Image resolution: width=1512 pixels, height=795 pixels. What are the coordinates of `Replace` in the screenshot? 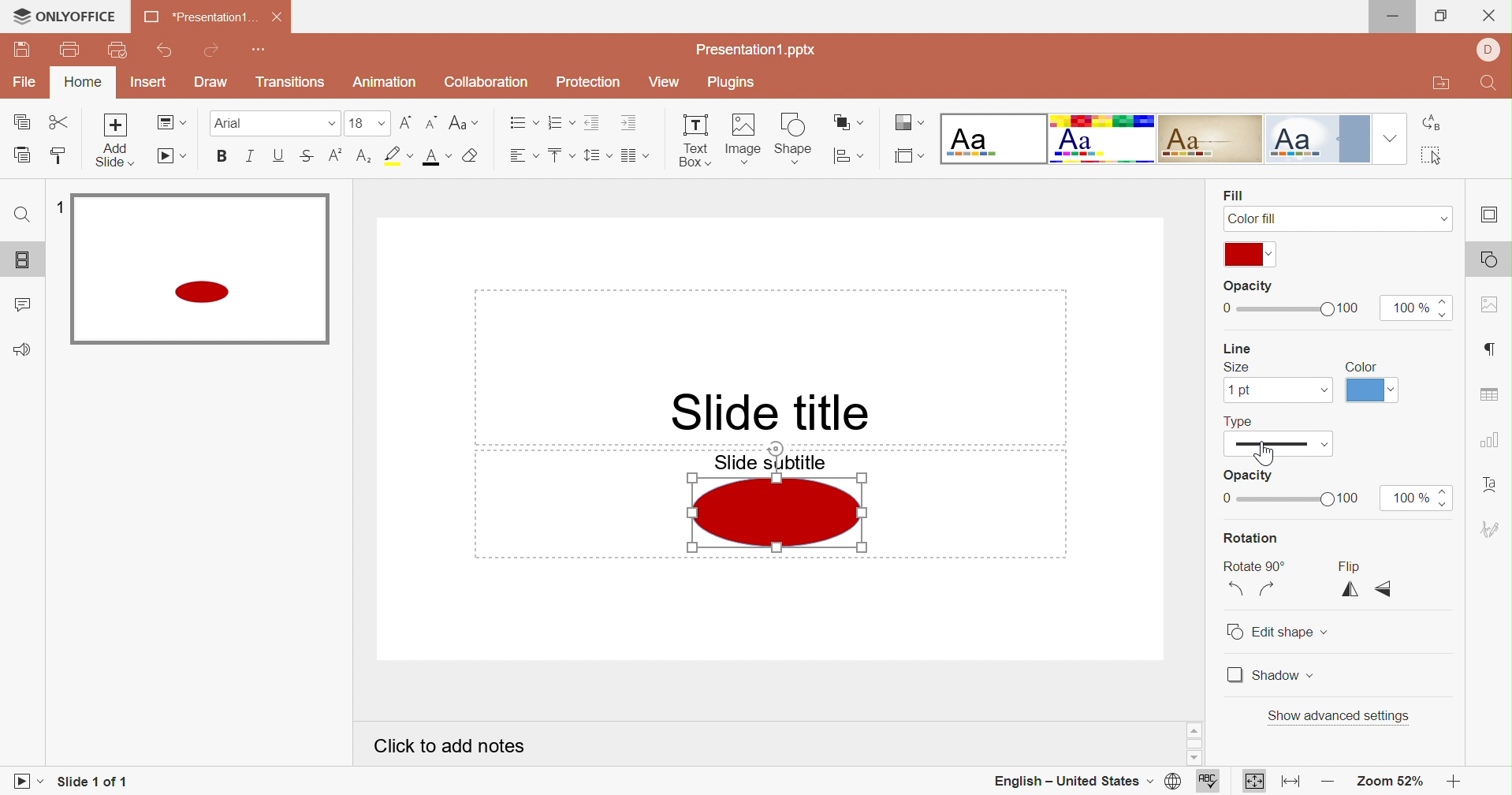 It's located at (1431, 124).